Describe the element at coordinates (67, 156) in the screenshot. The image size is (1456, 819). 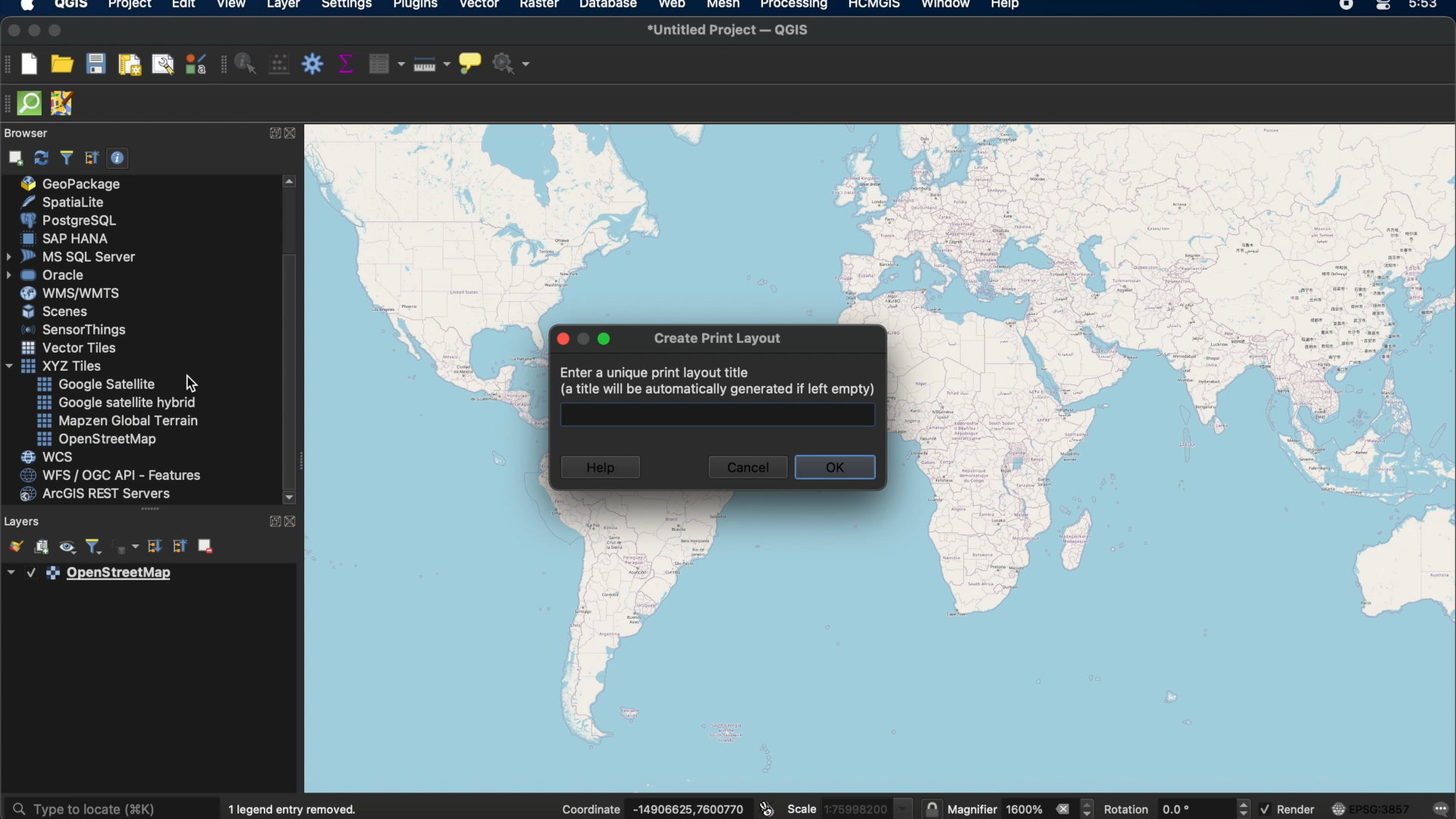
I see `filter browser` at that location.